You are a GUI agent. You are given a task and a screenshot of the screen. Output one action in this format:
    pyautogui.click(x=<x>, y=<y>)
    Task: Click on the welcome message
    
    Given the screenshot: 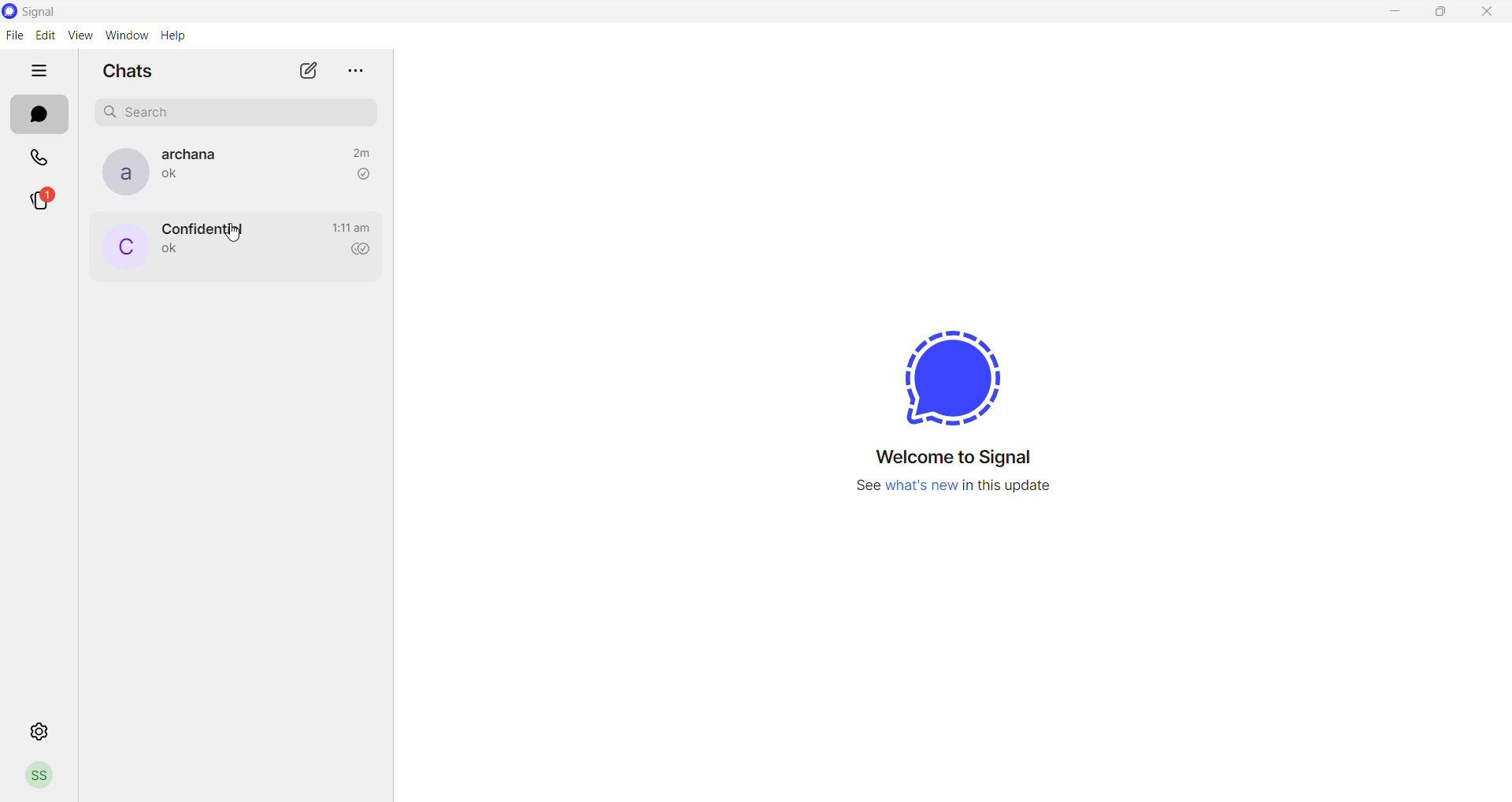 What is the action you would take?
    pyautogui.click(x=963, y=459)
    